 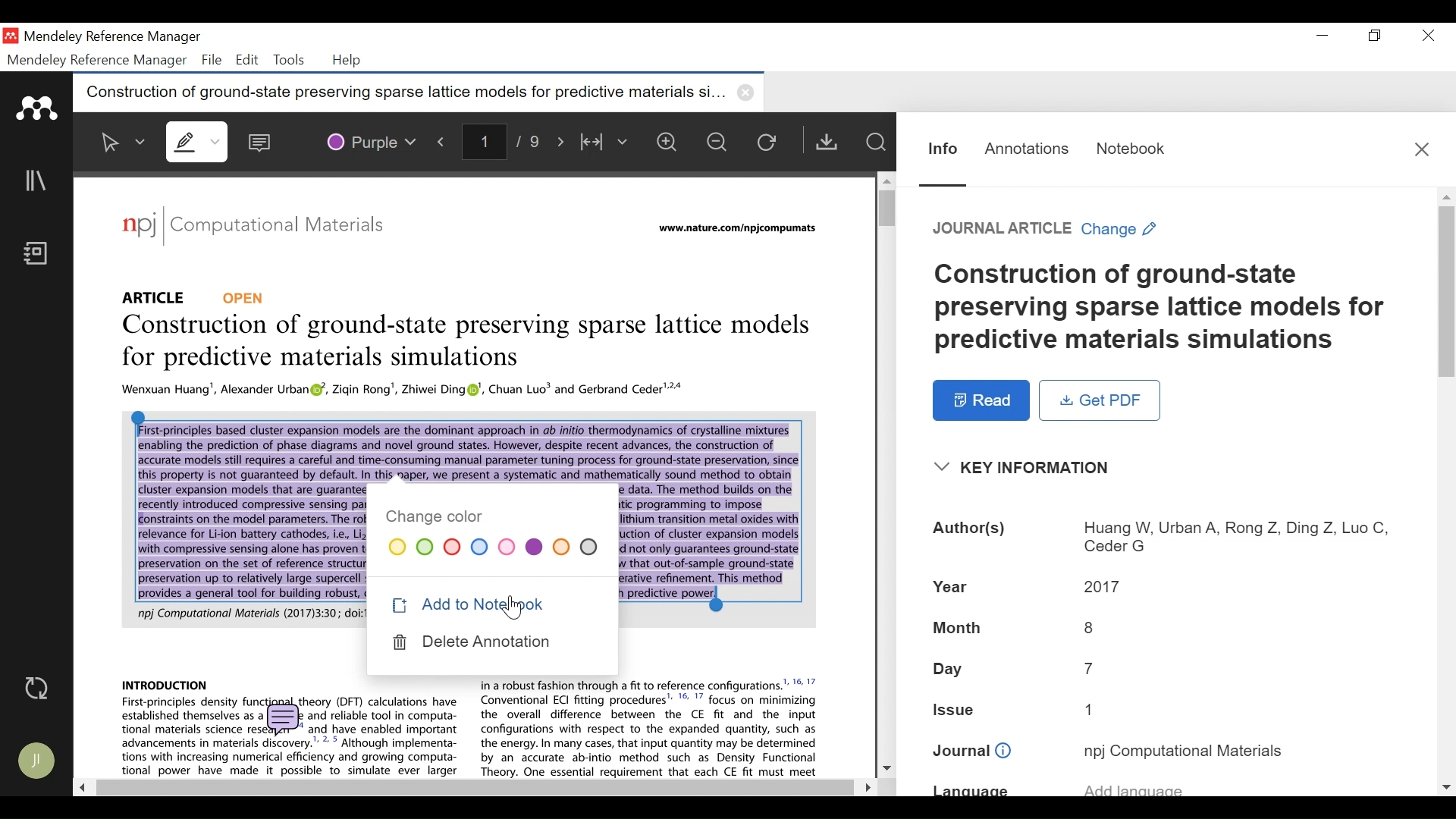 What do you see at coordinates (1323, 36) in the screenshot?
I see `minimize` at bounding box center [1323, 36].